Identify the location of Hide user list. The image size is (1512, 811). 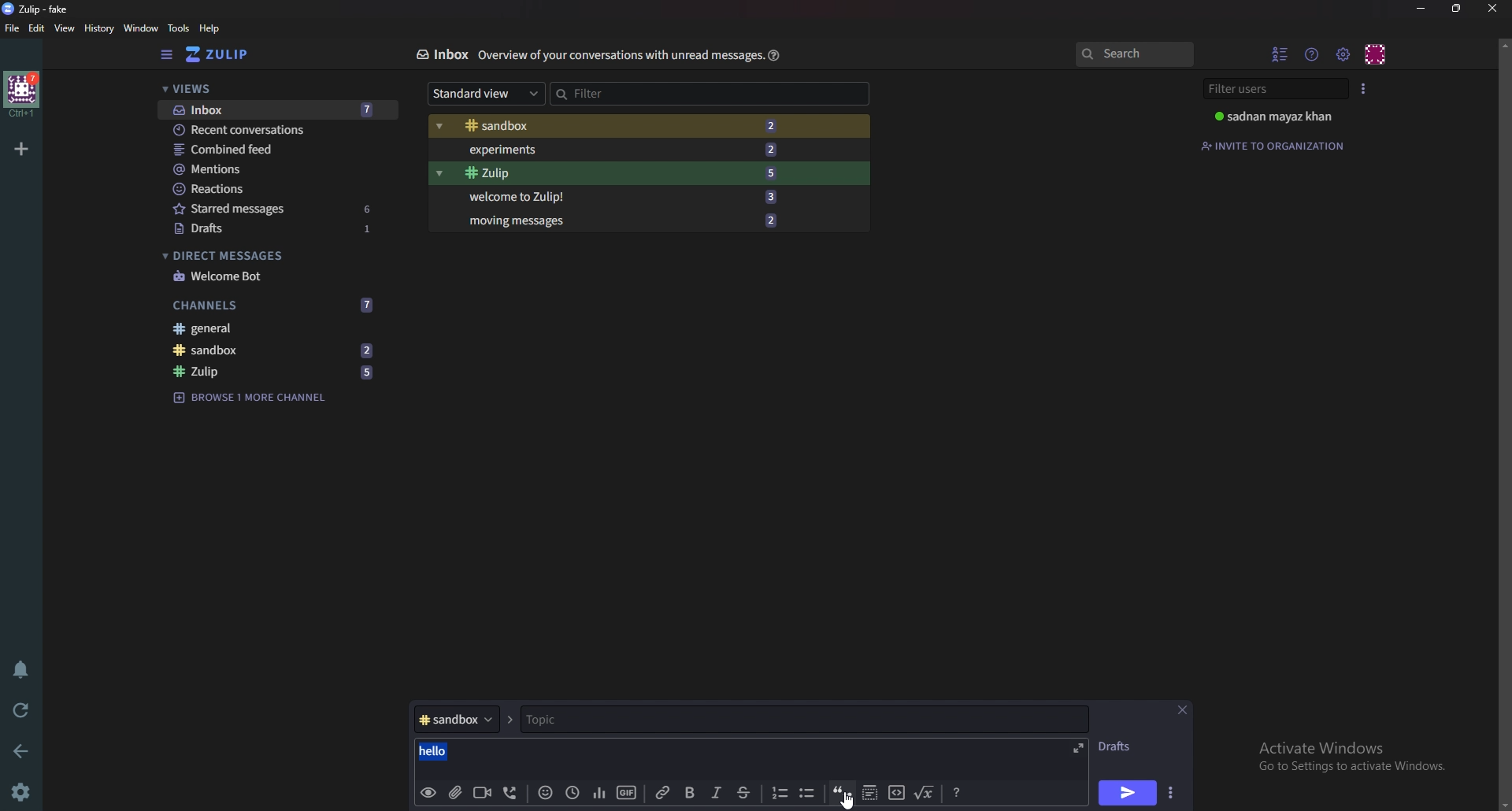
(1280, 52).